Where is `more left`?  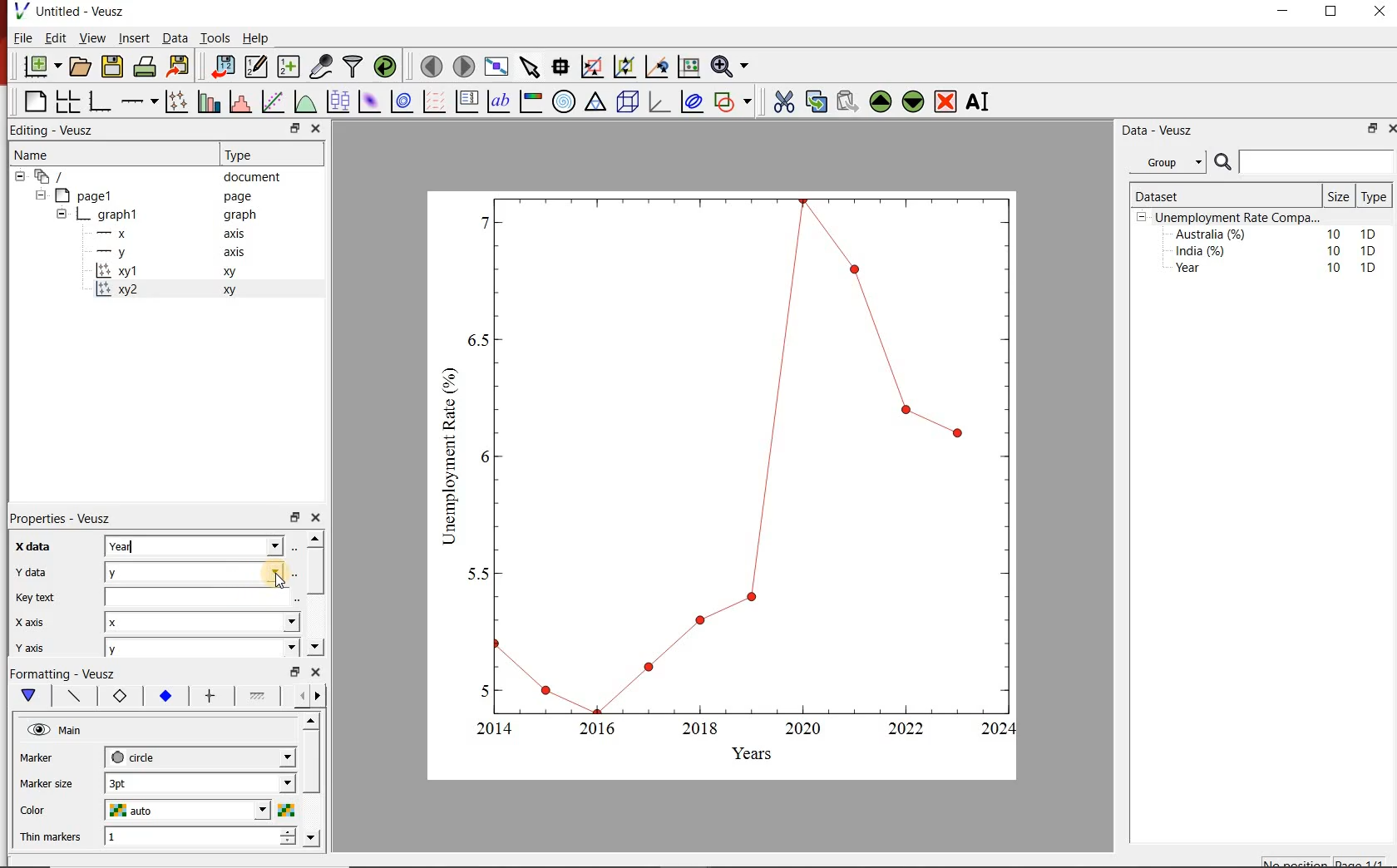
more left is located at coordinates (299, 695).